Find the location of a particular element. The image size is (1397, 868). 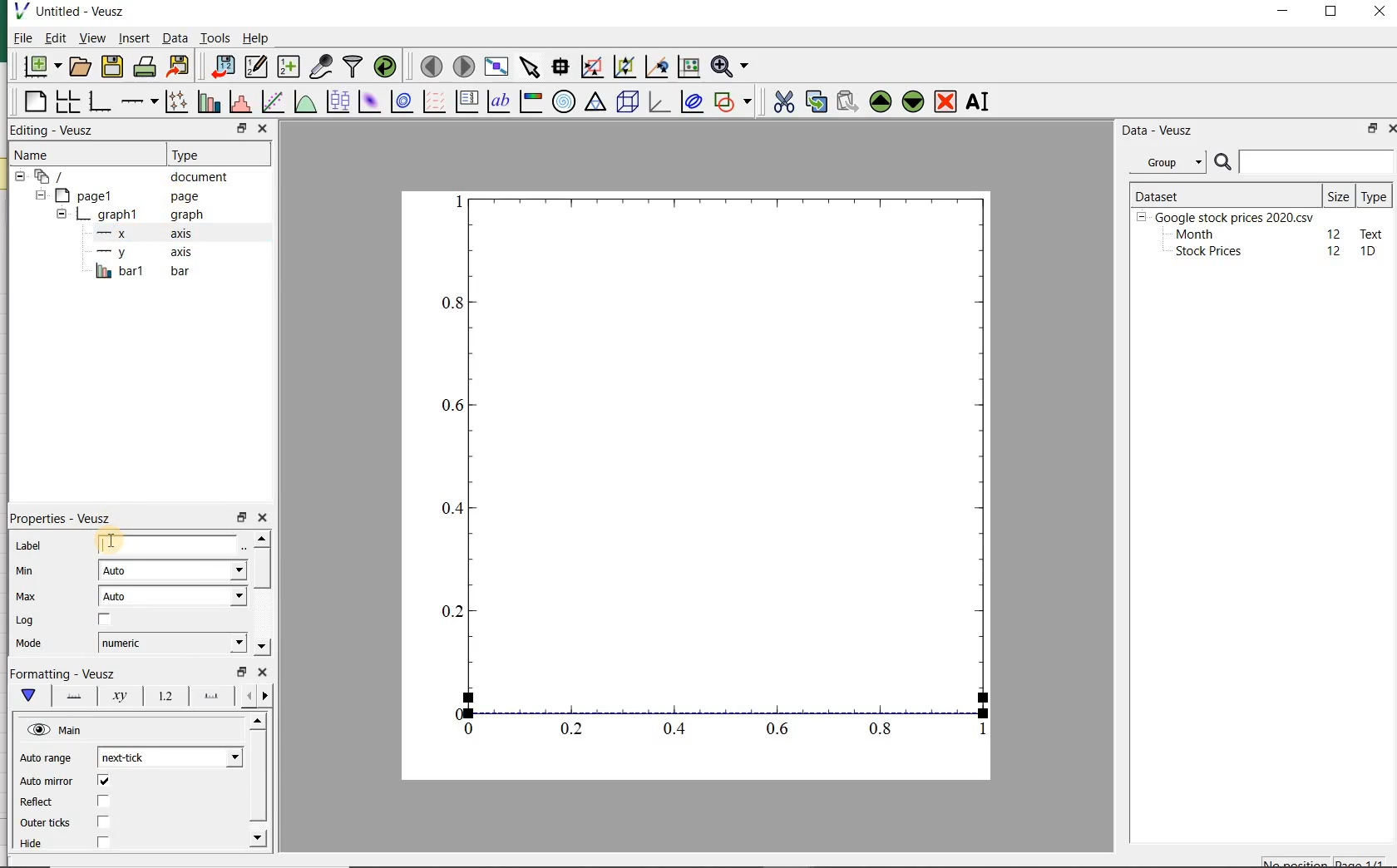

graph is located at coordinates (712, 467).